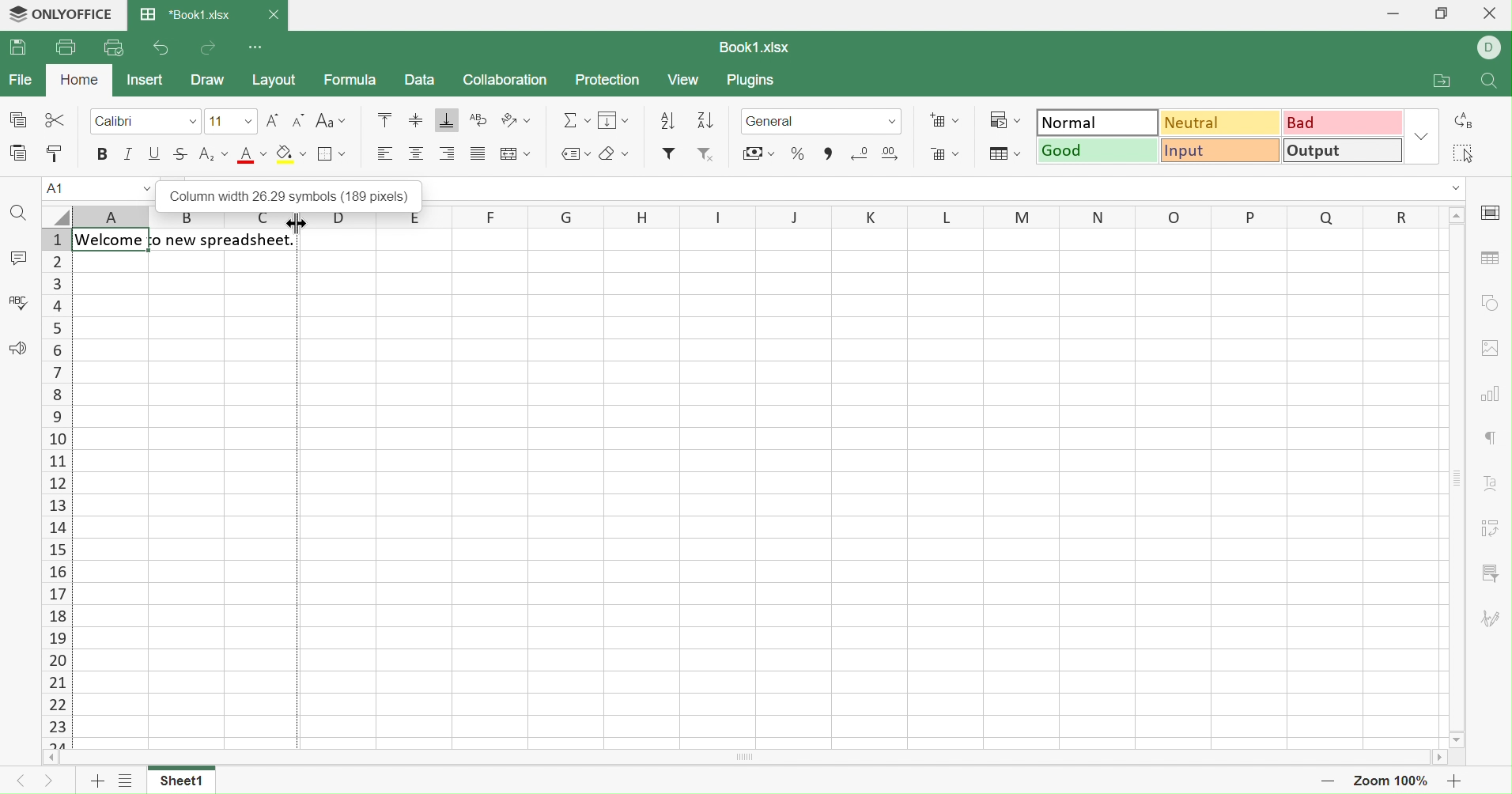 The width and height of the screenshot is (1512, 794). I want to click on Cut, so click(54, 117).